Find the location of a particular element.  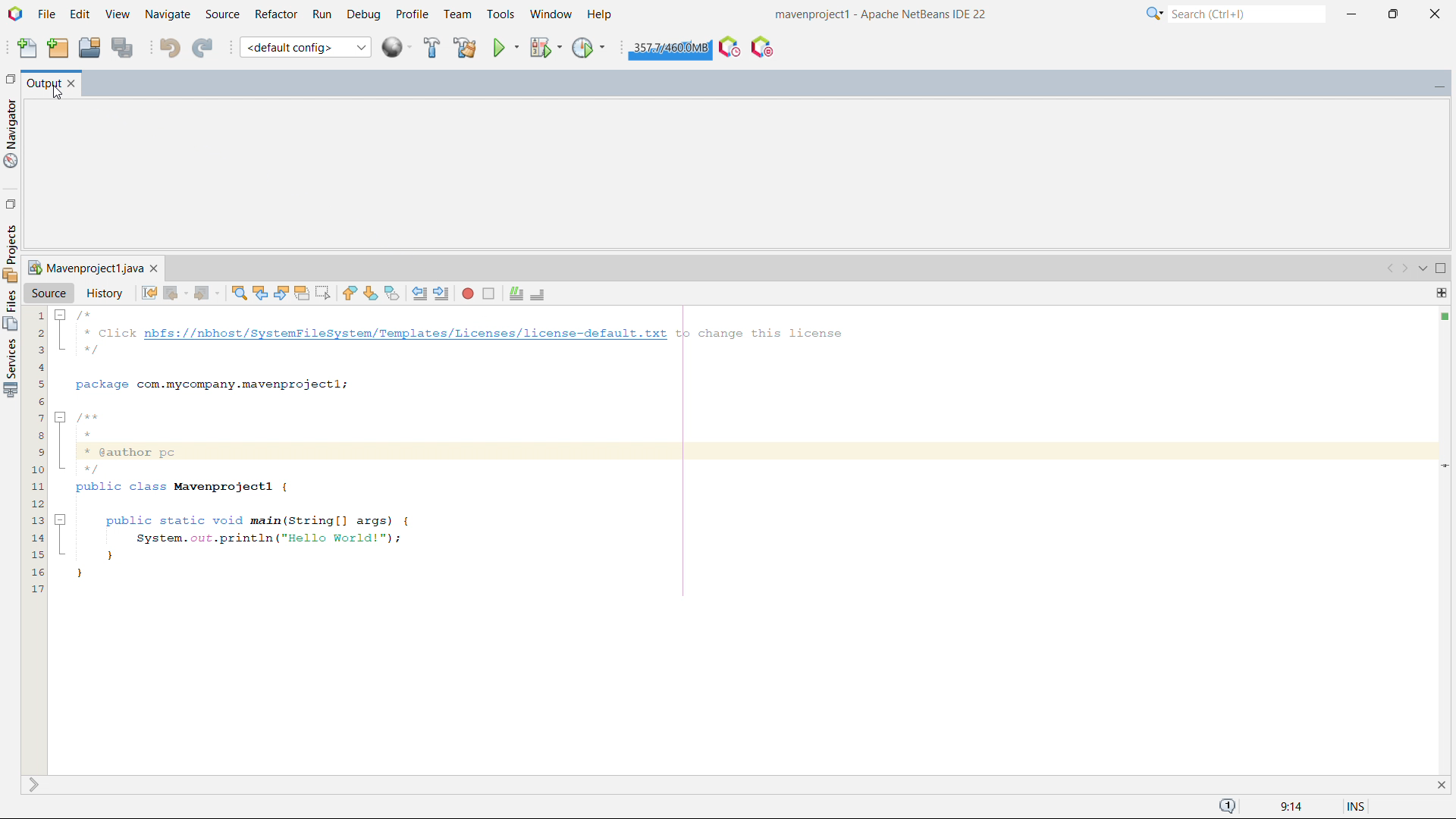

source is located at coordinates (223, 15).